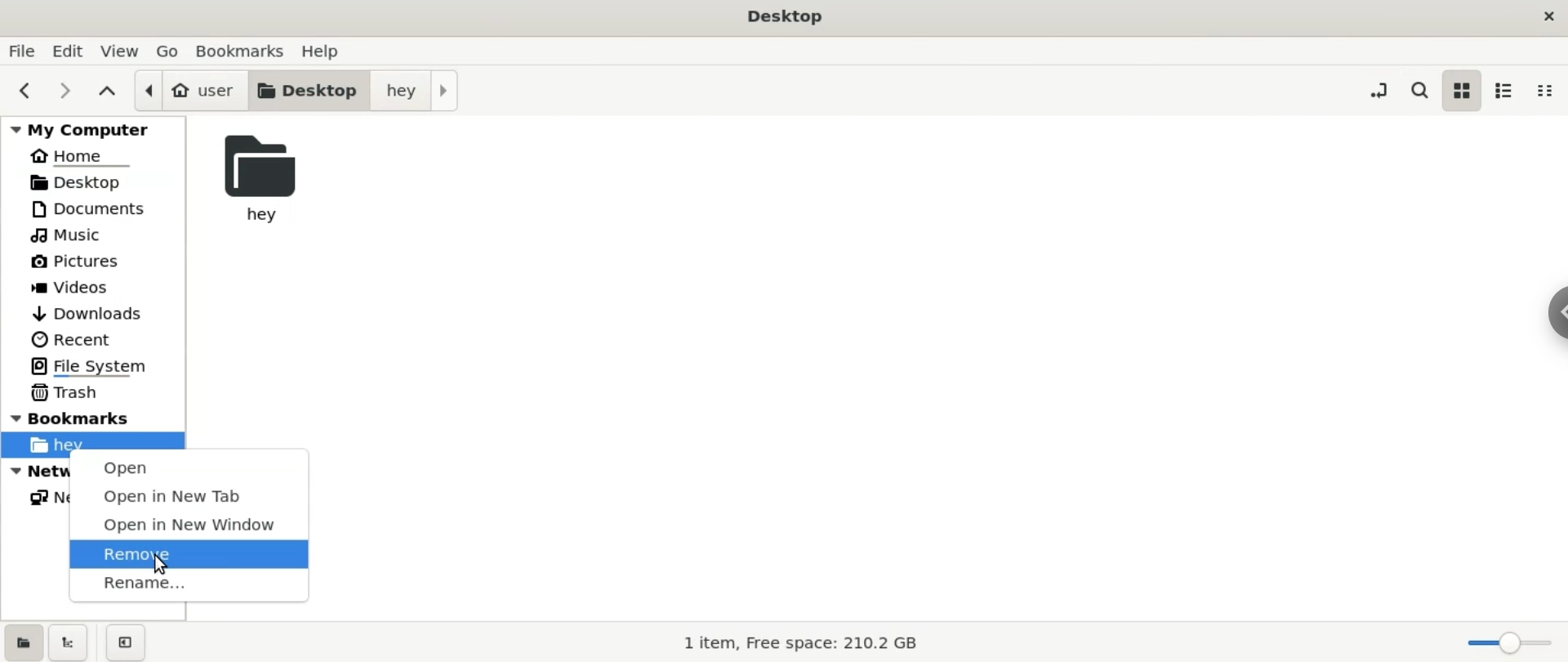  Describe the element at coordinates (1546, 16) in the screenshot. I see `close` at that location.